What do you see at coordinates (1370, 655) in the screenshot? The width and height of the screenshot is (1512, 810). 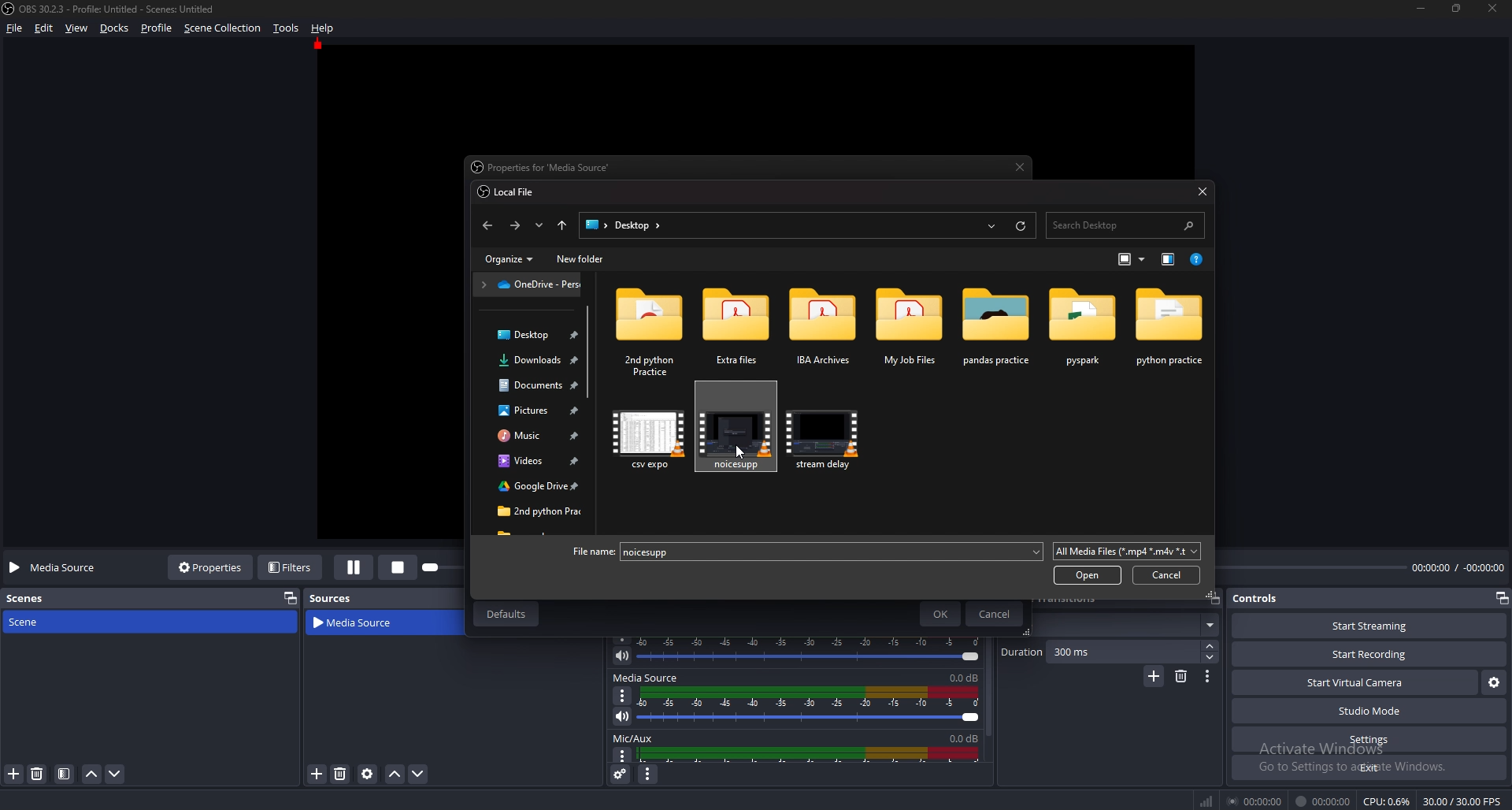 I see `Start recording` at bounding box center [1370, 655].